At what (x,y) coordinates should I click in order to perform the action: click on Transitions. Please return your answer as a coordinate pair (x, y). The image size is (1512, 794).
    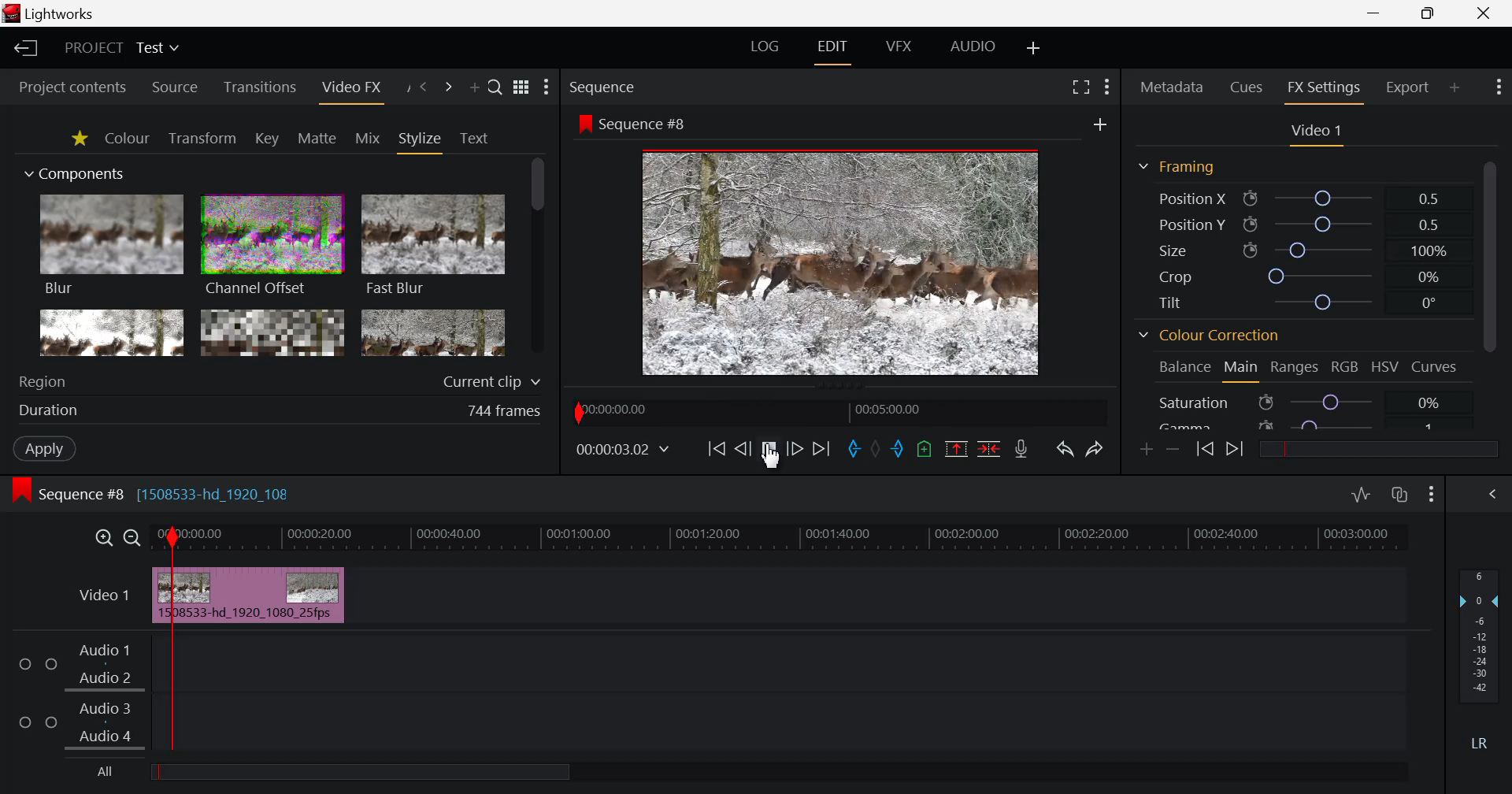
    Looking at the image, I should click on (259, 88).